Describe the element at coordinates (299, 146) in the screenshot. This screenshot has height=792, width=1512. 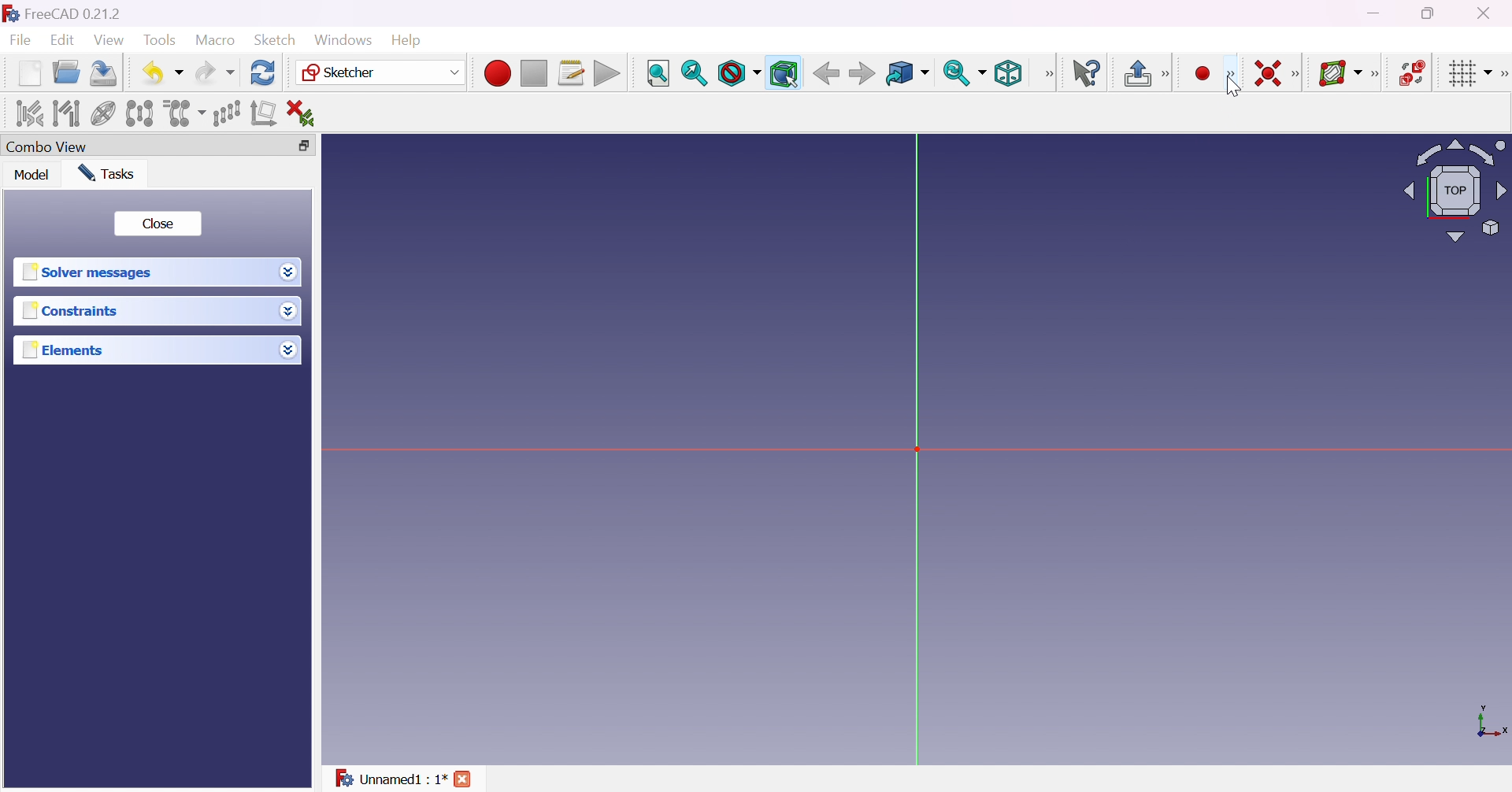
I see `Restore down` at that location.